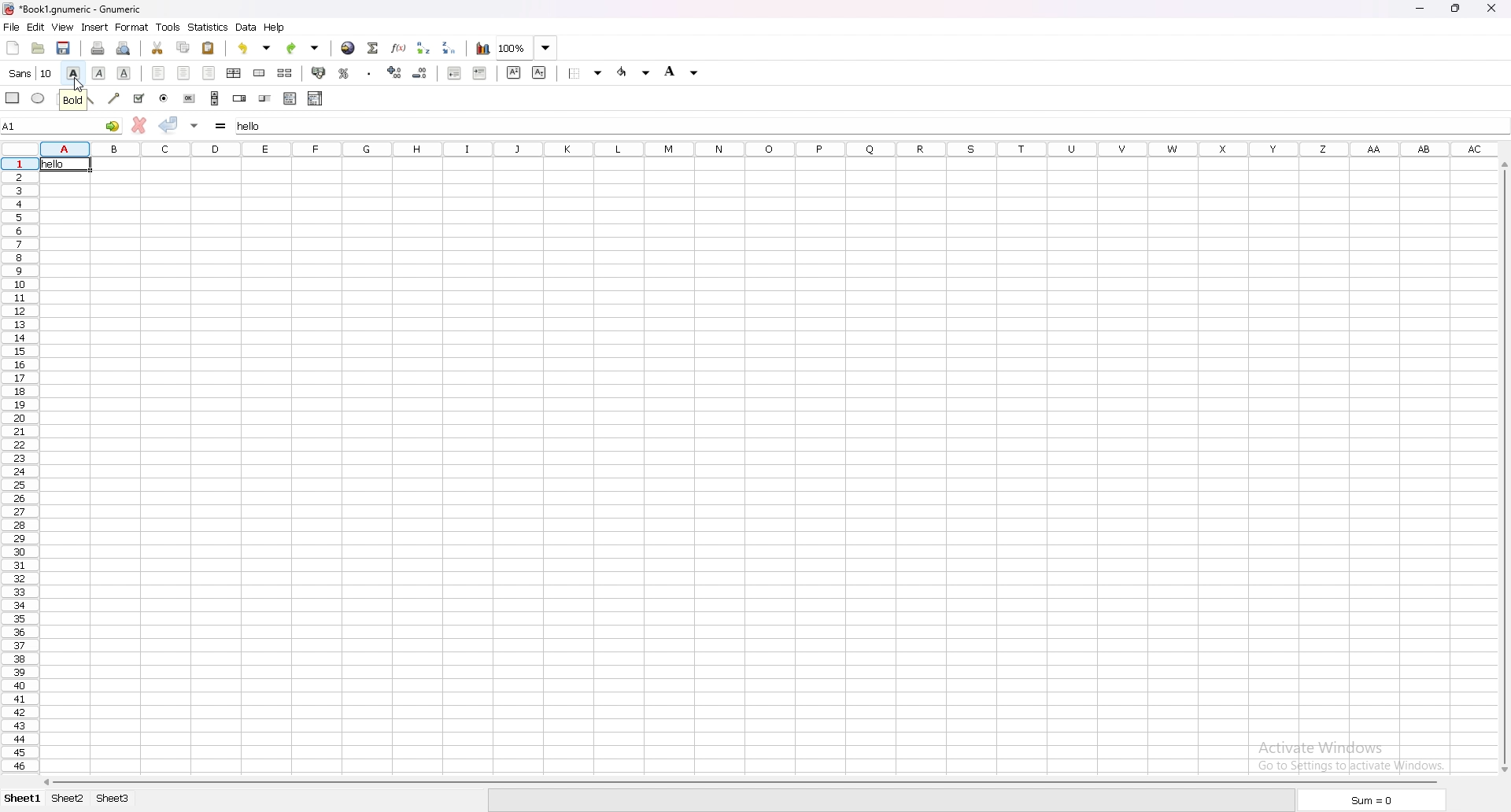  I want to click on combo box, so click(315, 98).